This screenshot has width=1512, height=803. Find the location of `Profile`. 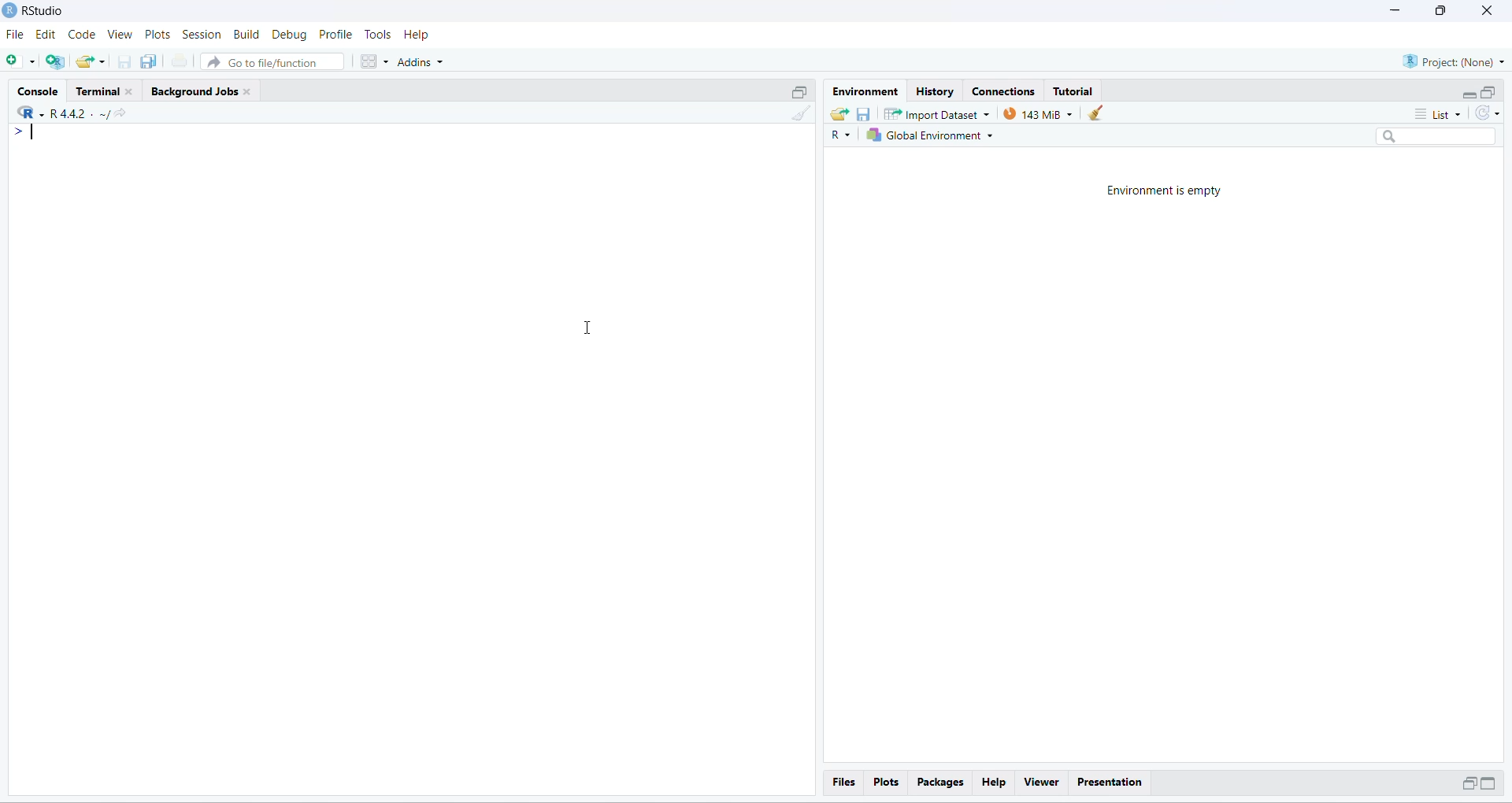

Profile is located at coordinates (335, 34).